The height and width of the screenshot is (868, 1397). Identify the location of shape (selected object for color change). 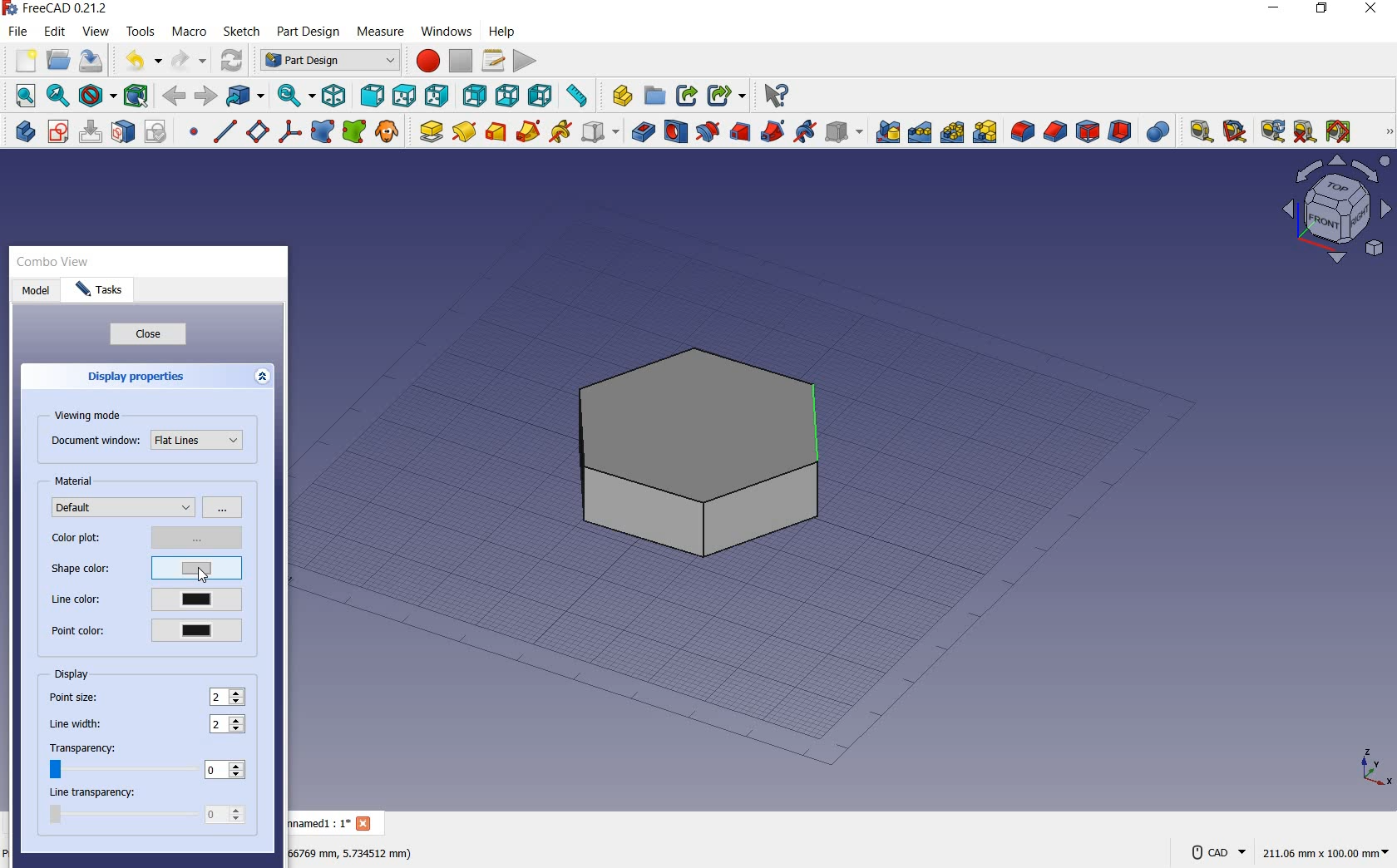
(691, 451).